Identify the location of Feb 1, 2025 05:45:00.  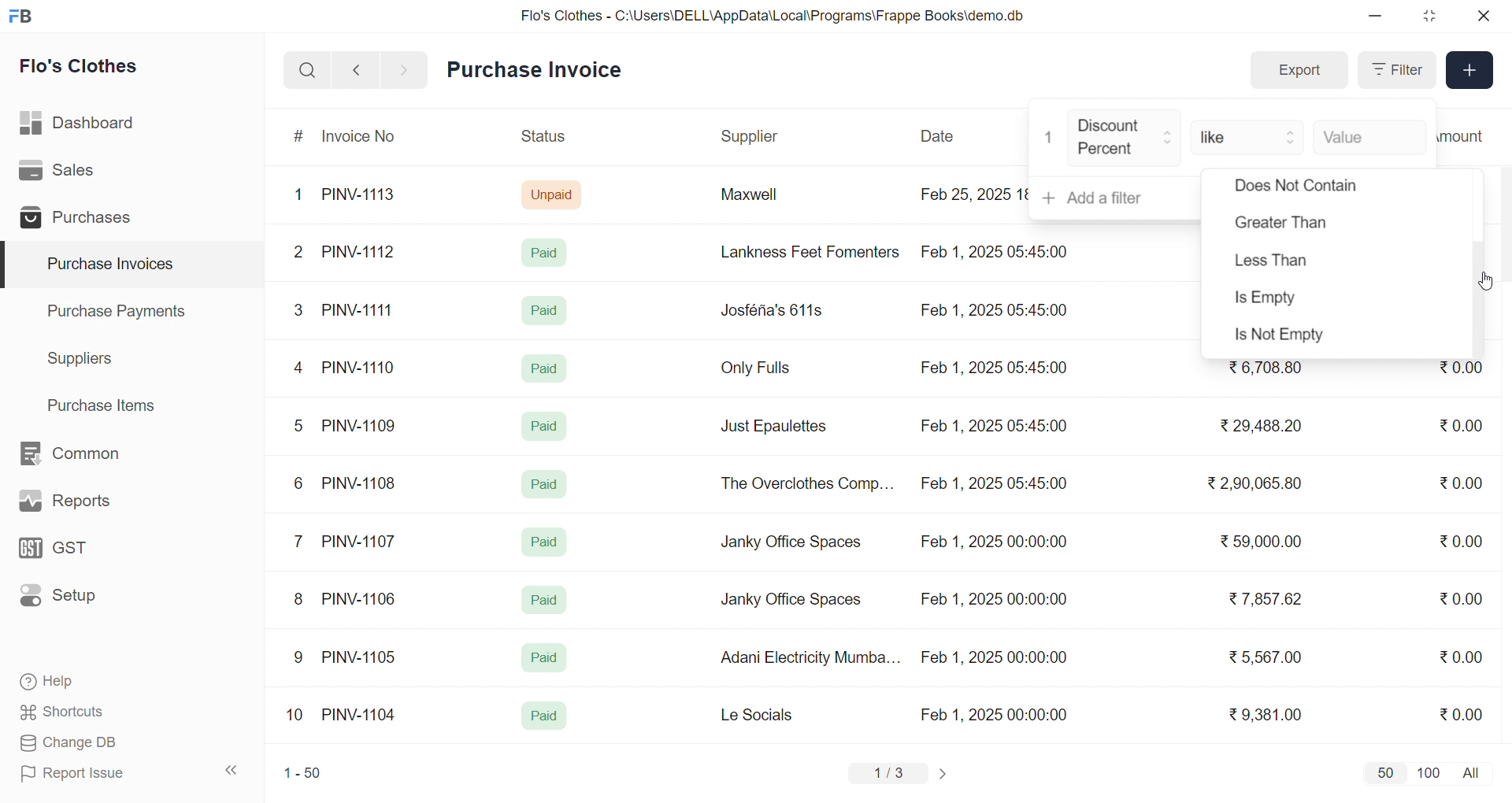
(993, 426).